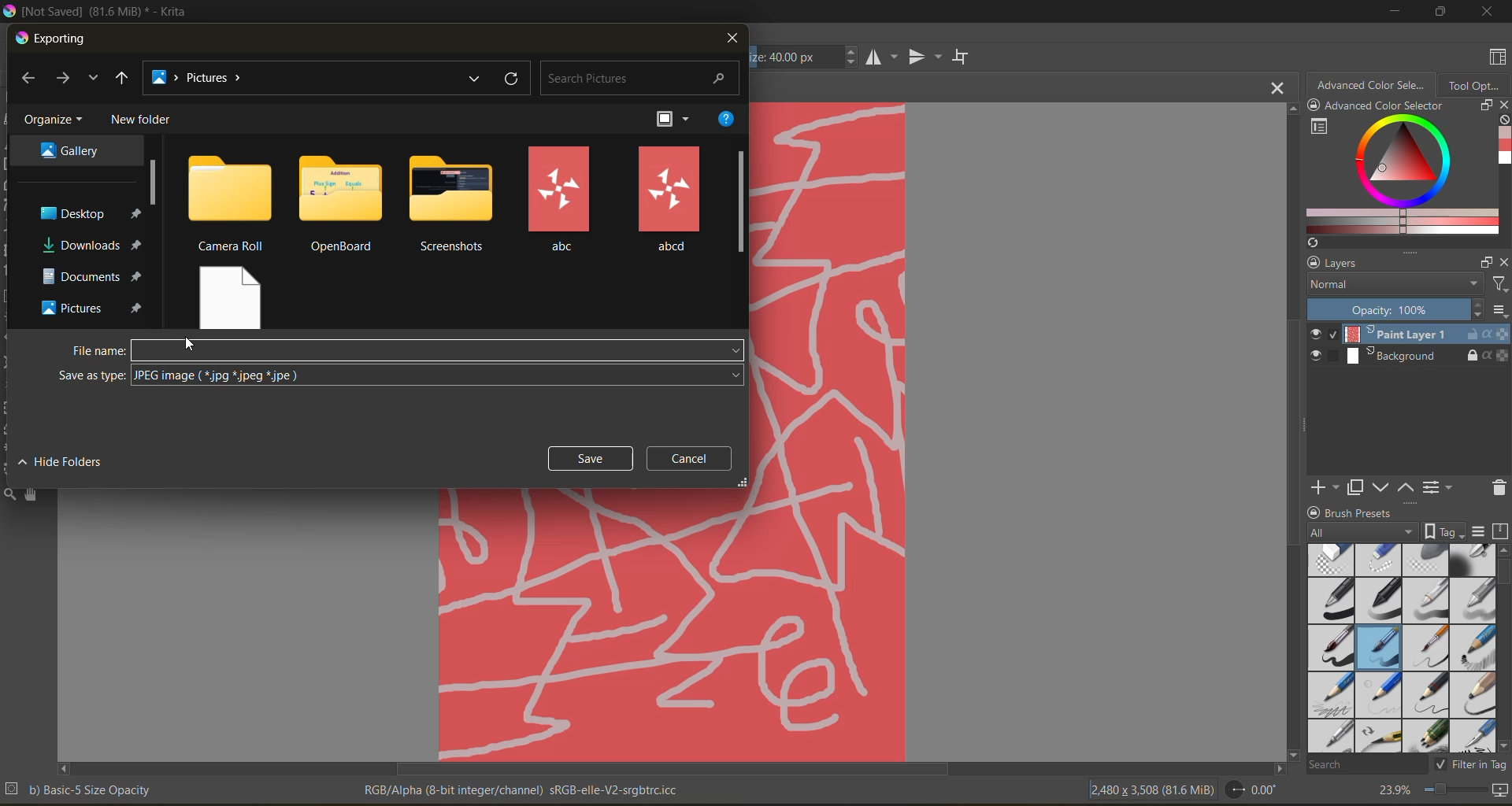 The width and height of the screenshot is (1512, 806). What do you see at coordinates (1503, 648) in the screenshot?
I see `vertical scroll bar` at bounding box center [1503, 648].